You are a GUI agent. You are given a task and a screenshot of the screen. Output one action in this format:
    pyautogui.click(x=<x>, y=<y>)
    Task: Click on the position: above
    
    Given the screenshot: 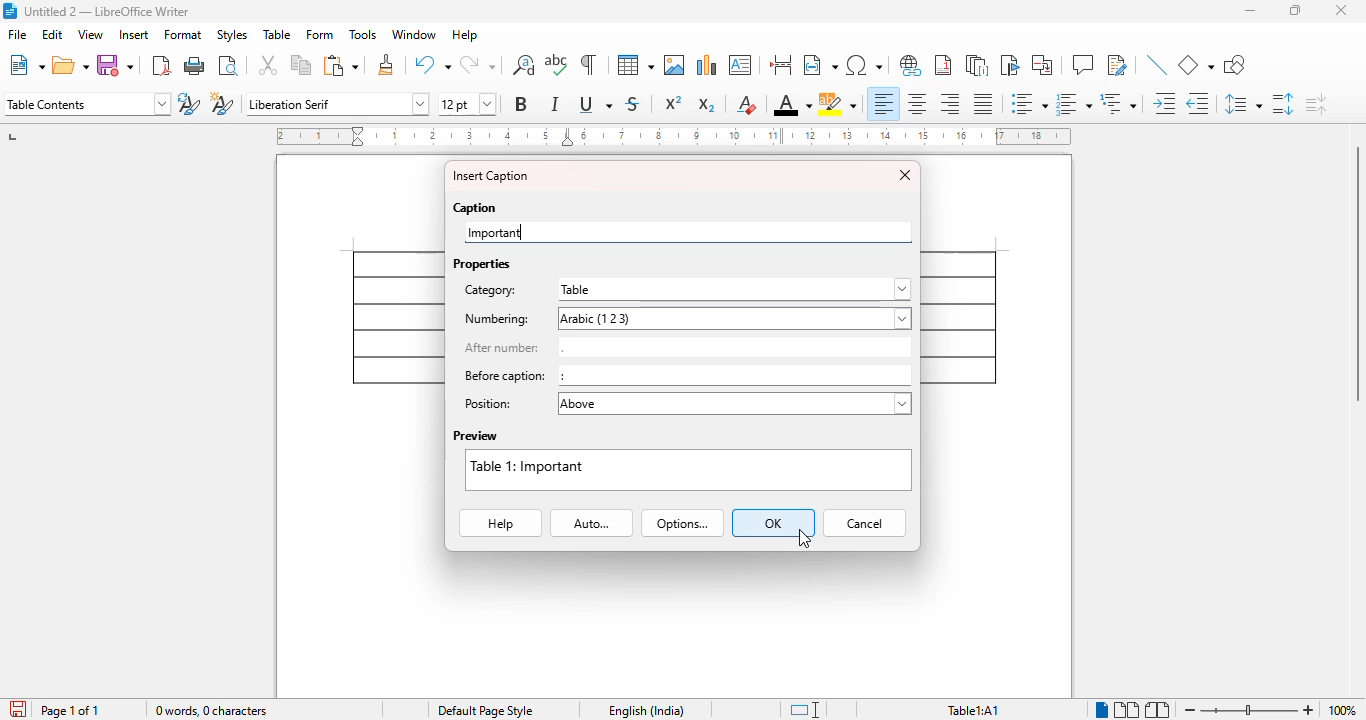 What is the action you would take?
    pyautogui.click(x=686, y=404)
    